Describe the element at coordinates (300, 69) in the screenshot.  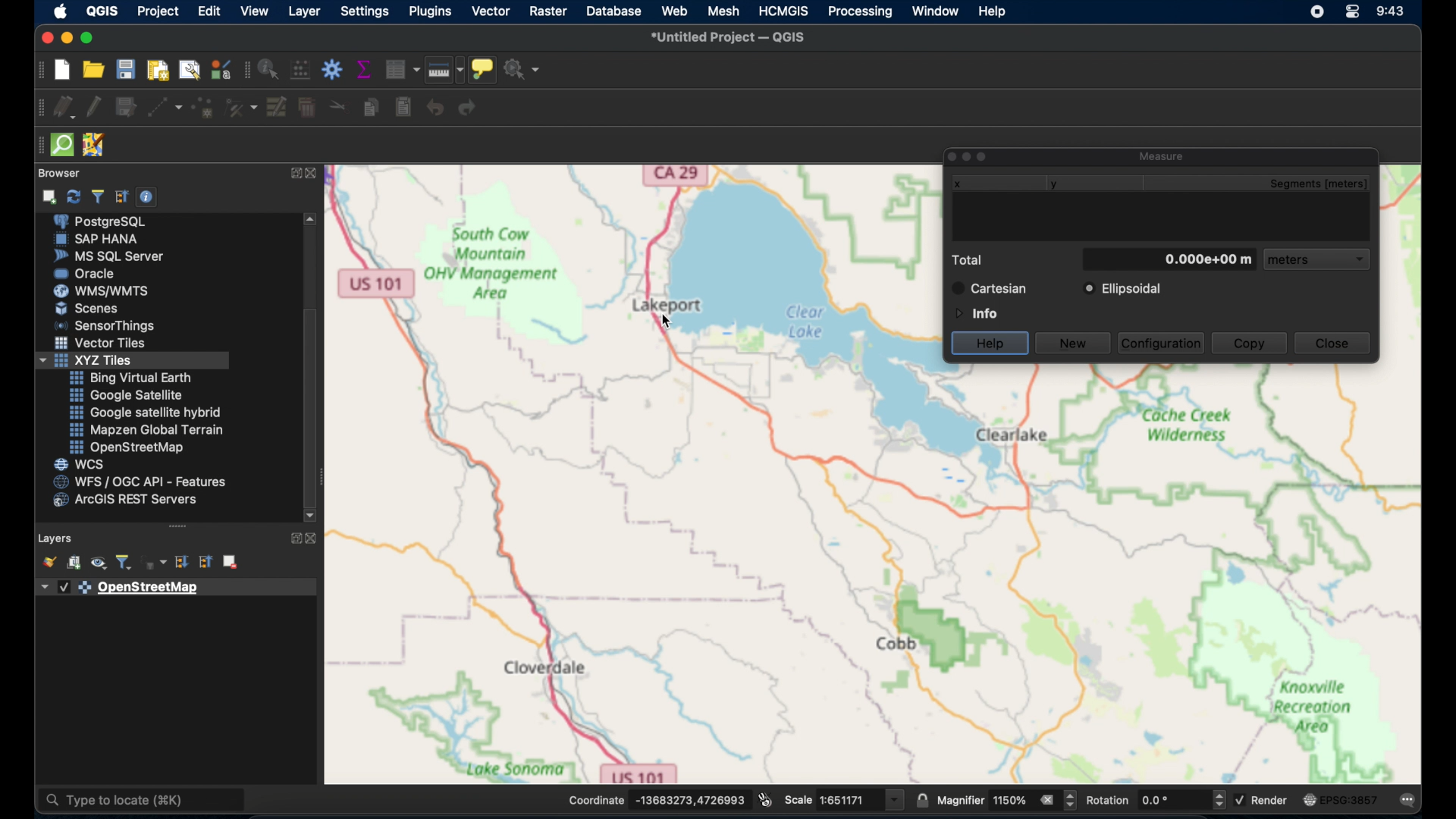
I see `open field calculator` at that location.